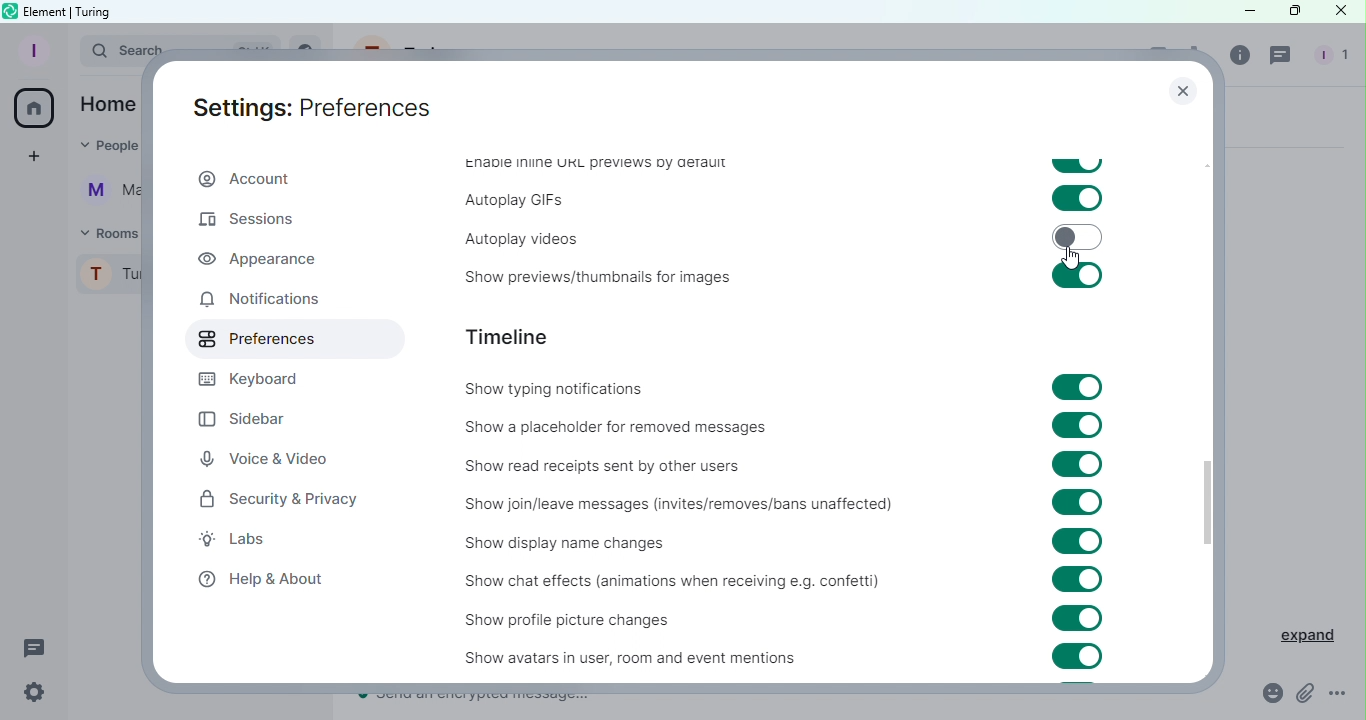 This screenshot has width=1366, height=720. Describe the element at coordinates (35, 646) in the screenshot. I see `Threads` at that location.